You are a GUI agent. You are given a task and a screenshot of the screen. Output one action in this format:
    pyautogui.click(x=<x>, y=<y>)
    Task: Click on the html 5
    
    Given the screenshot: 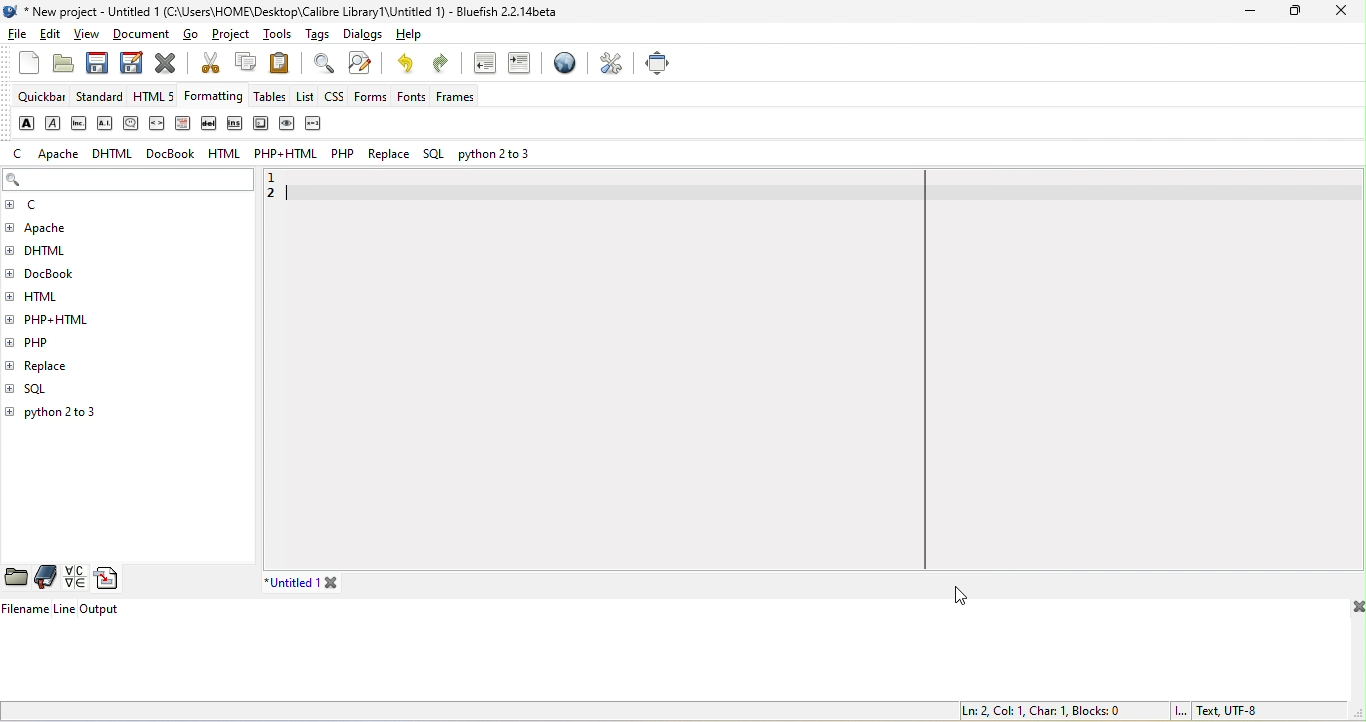 What is the action you would take?
    pyautogui.click(x=158, y=98)
    